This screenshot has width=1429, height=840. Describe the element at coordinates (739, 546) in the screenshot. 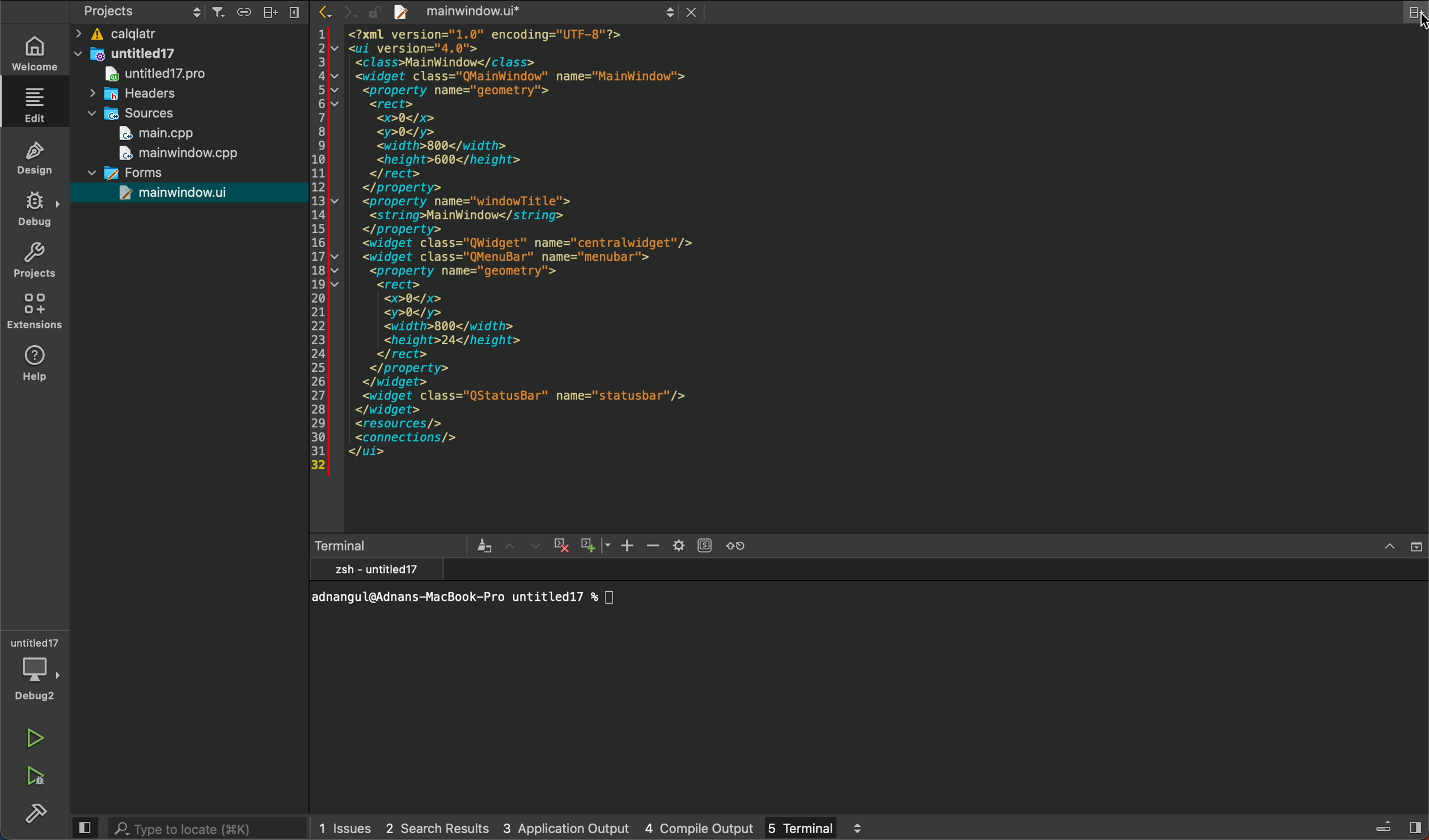

I see `reset` at that location.